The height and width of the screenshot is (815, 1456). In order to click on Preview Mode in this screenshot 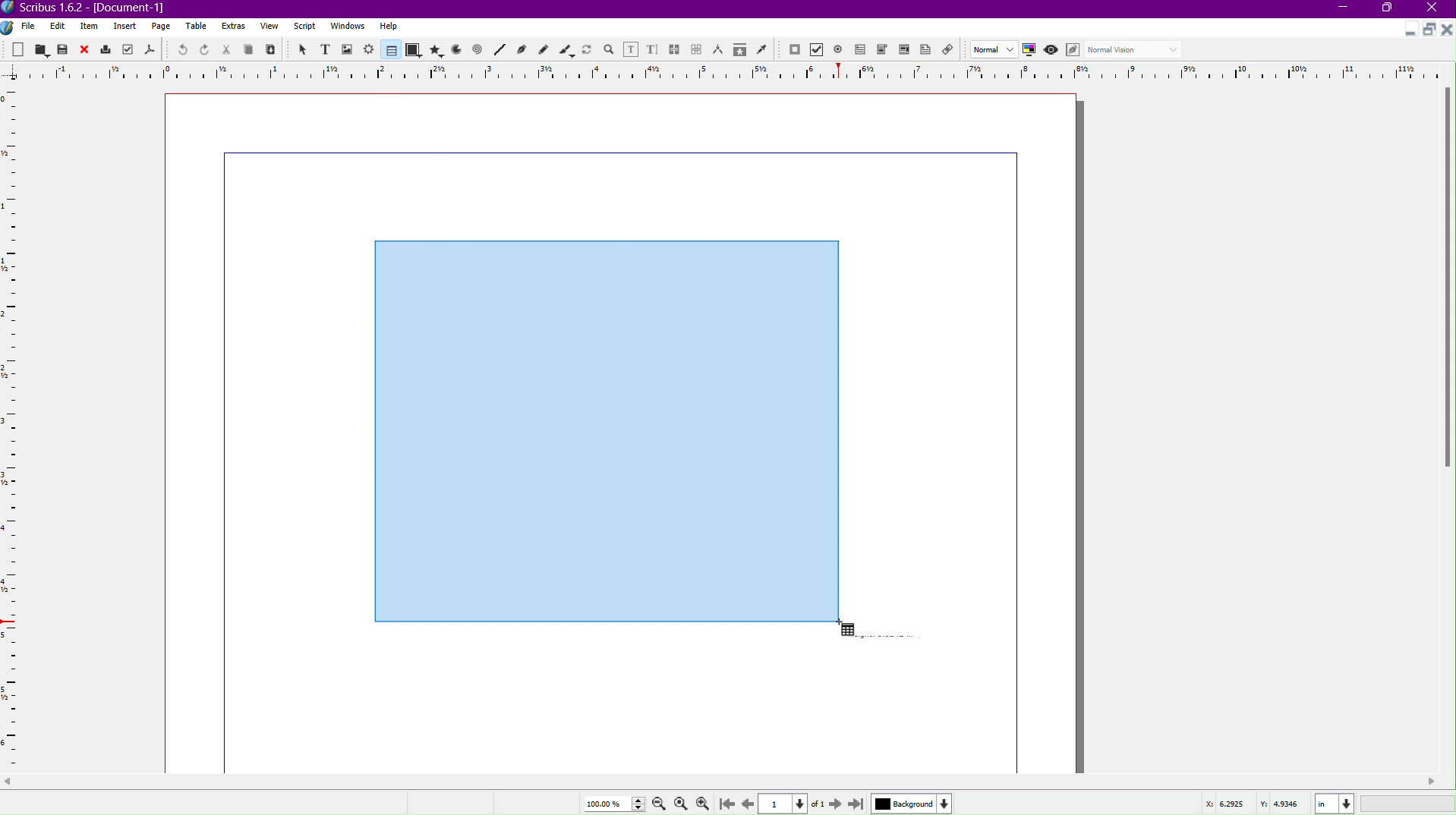, I will do `click(1053, 51)`.